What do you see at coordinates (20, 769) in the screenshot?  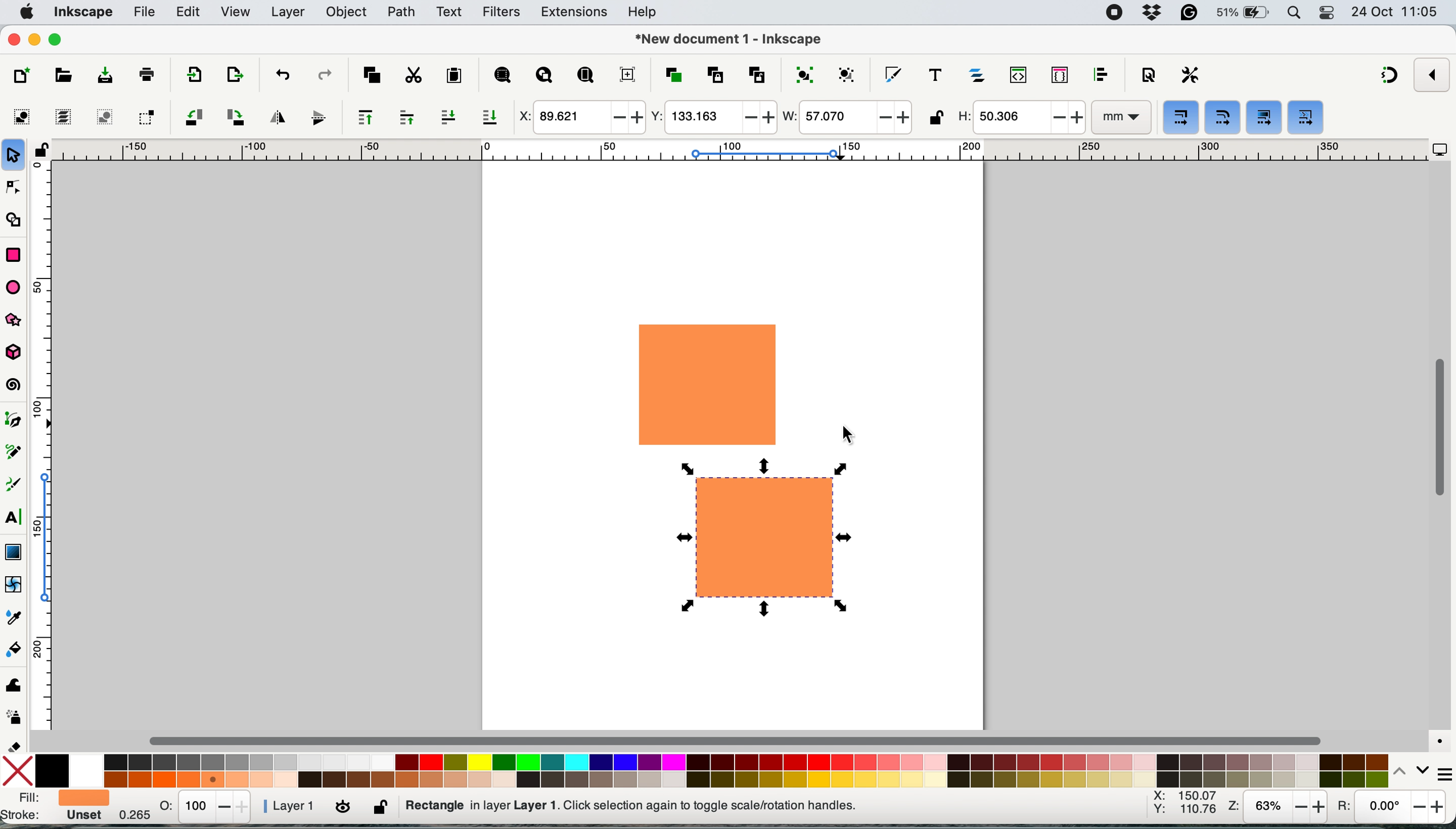 I see `no fill` at bounding box center [20, 769].